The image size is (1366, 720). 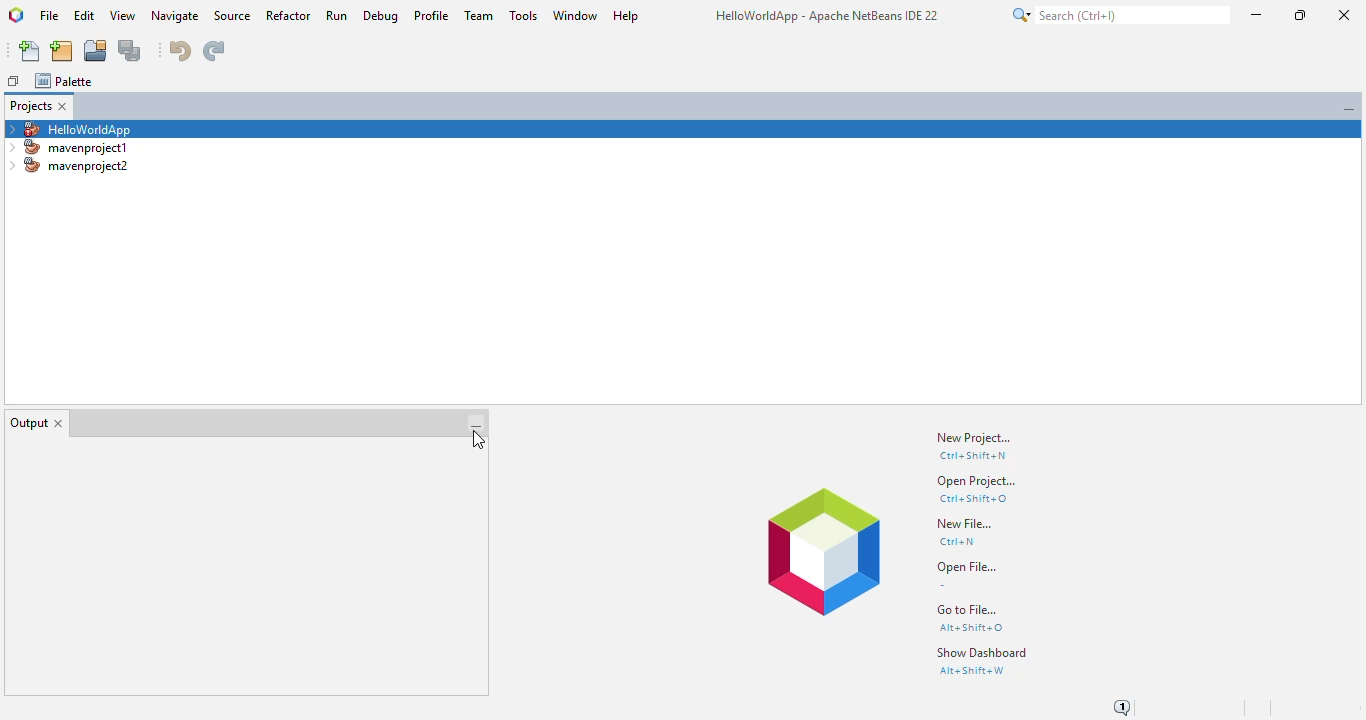 What do you see at coordinates (63, 80) in the screenshot?
I see `palette` at bounding box center [63, 80].